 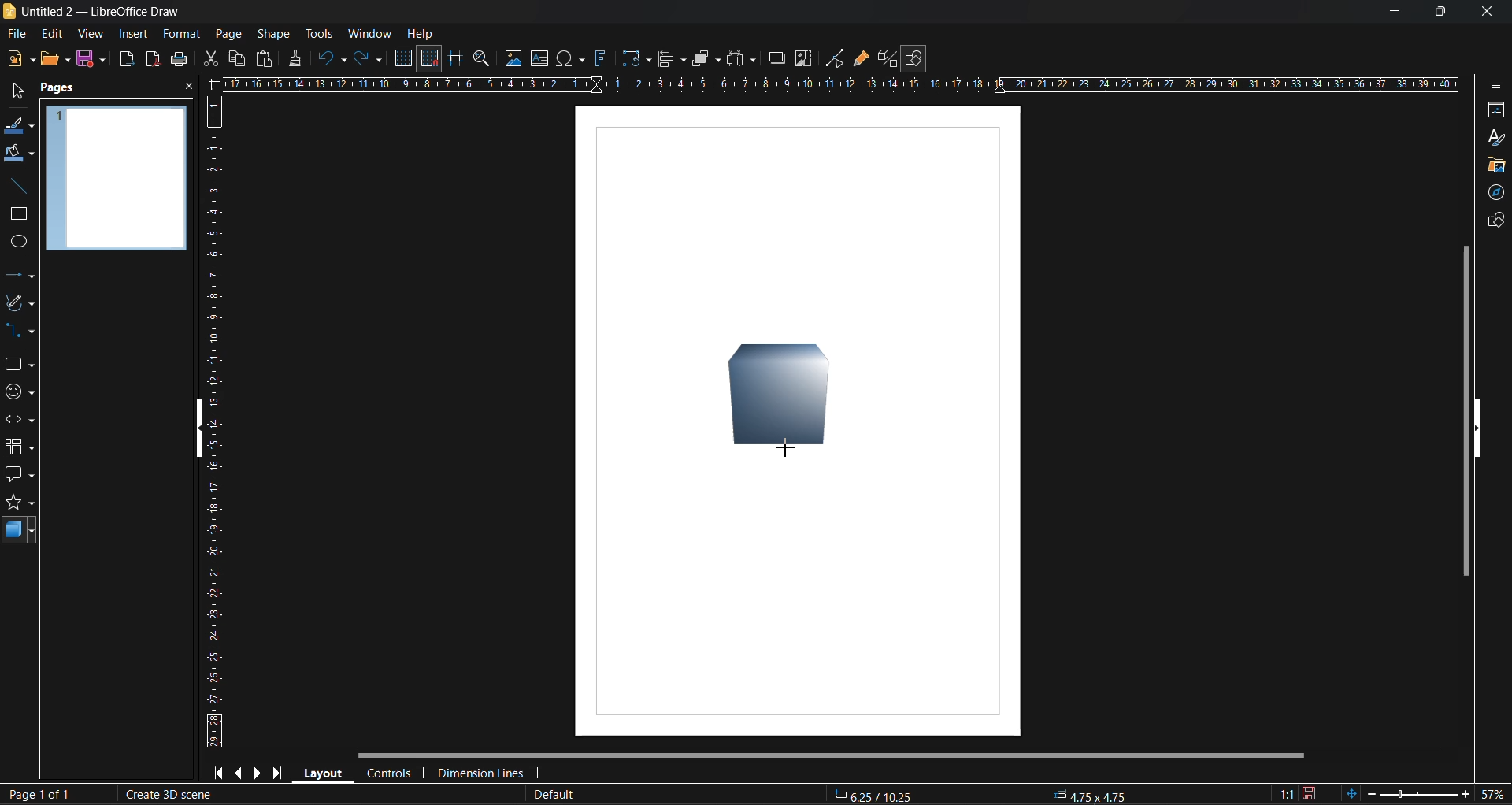 What do you see at coordinates (183, 35) in the screenshot?
I see `format` at bounding box center [183, 35].